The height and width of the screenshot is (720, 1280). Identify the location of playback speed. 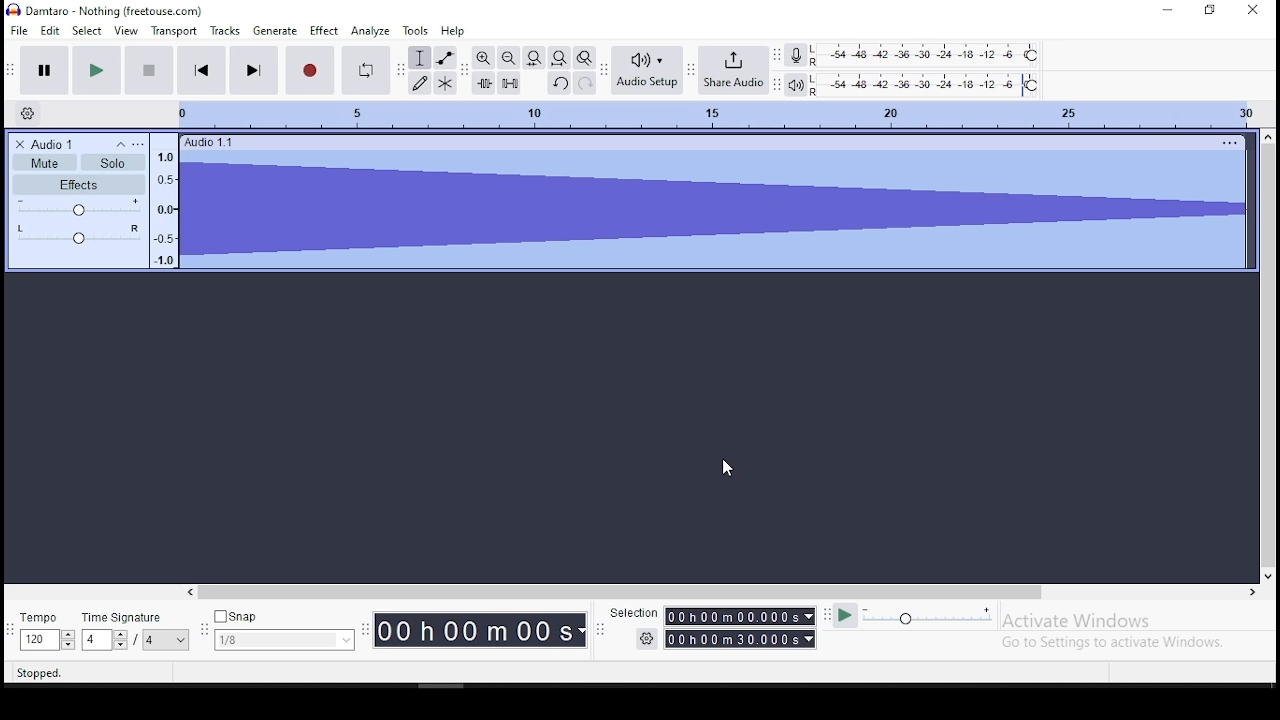
(914, 616).